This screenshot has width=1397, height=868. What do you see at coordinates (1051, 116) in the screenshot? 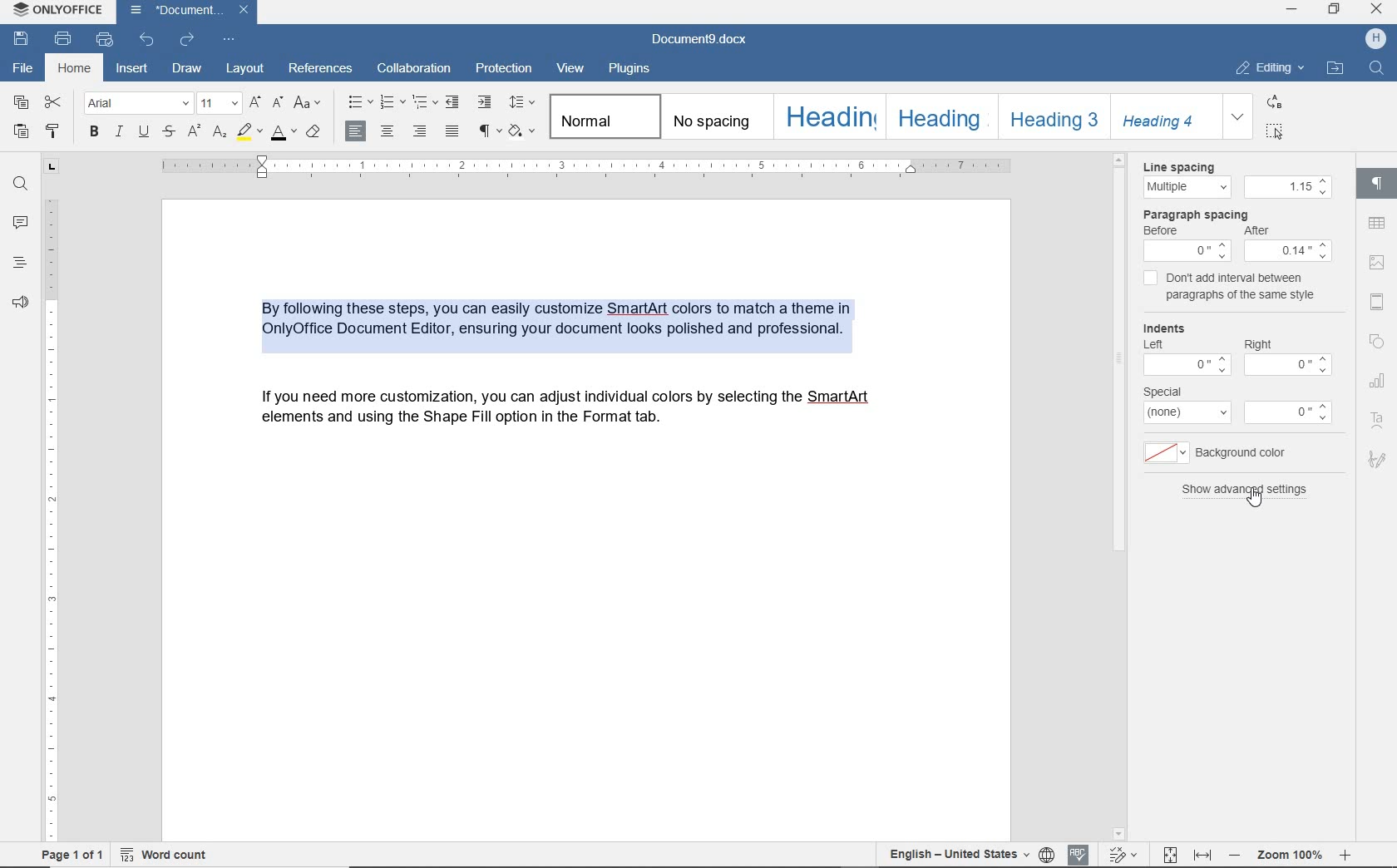
I see `heading 3` at bounding box center [1051, 116].